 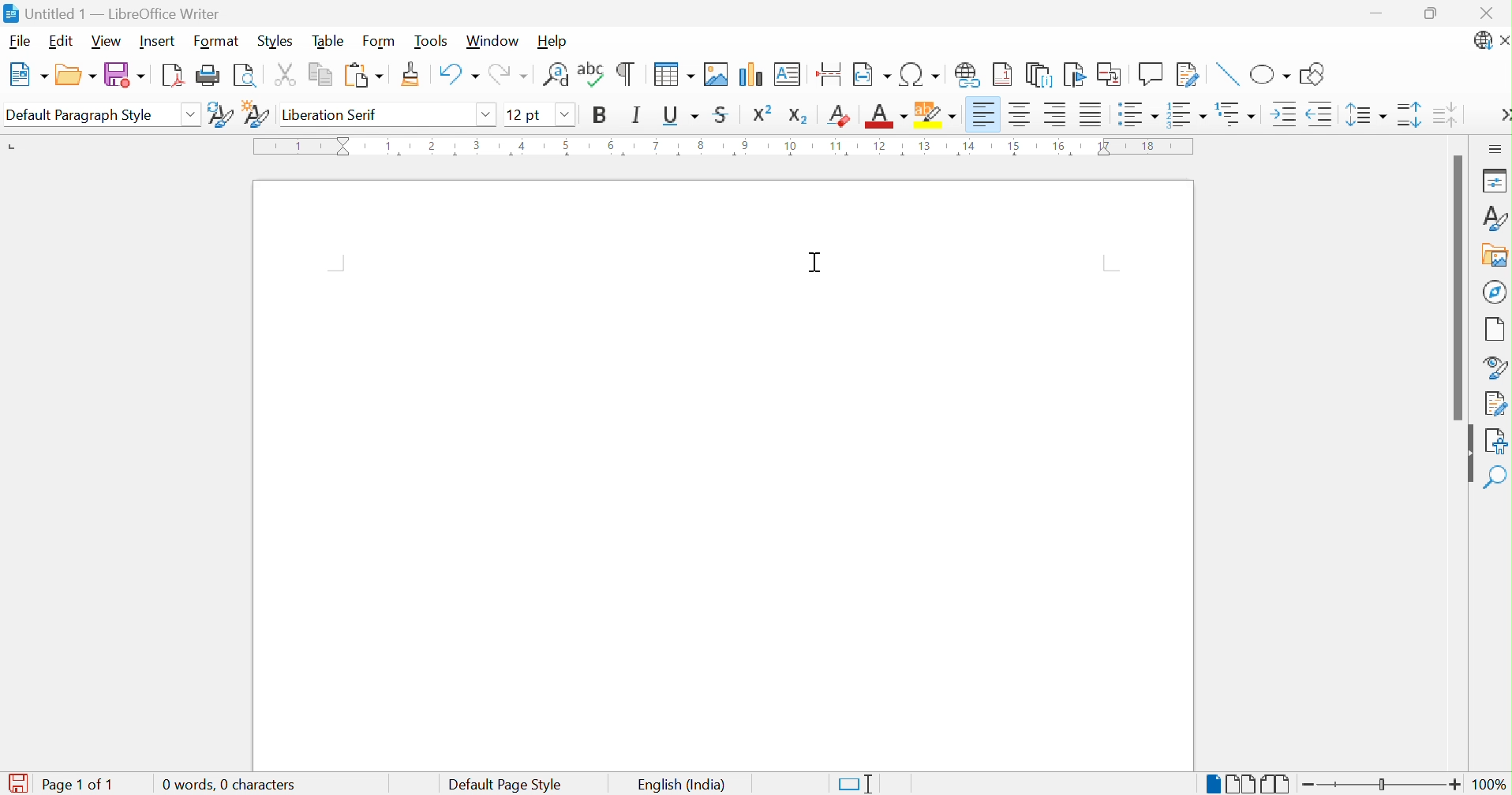 What do you see at coordinates (1375, 13) in the screenshot?
I see `Minimize` at bounding box center [1375, 13].